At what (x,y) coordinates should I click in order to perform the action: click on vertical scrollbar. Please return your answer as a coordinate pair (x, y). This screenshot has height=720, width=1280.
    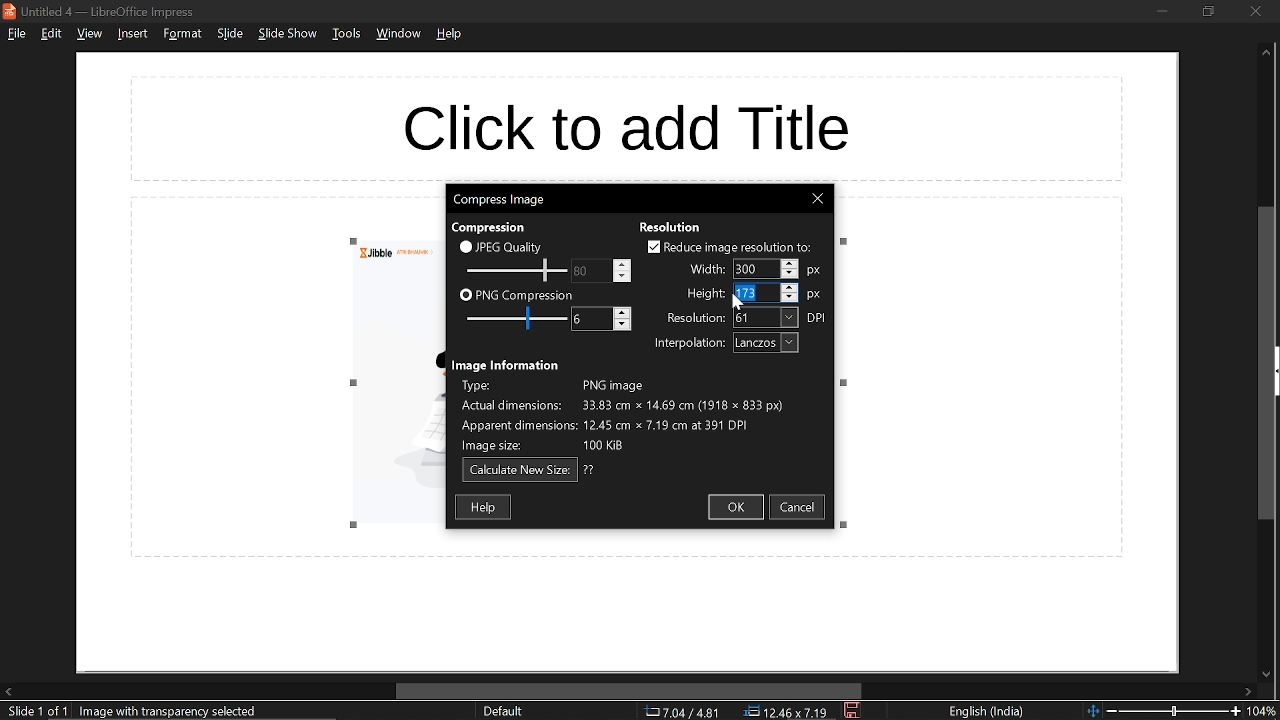
    Looking at the image, I should click on (1267, 363).